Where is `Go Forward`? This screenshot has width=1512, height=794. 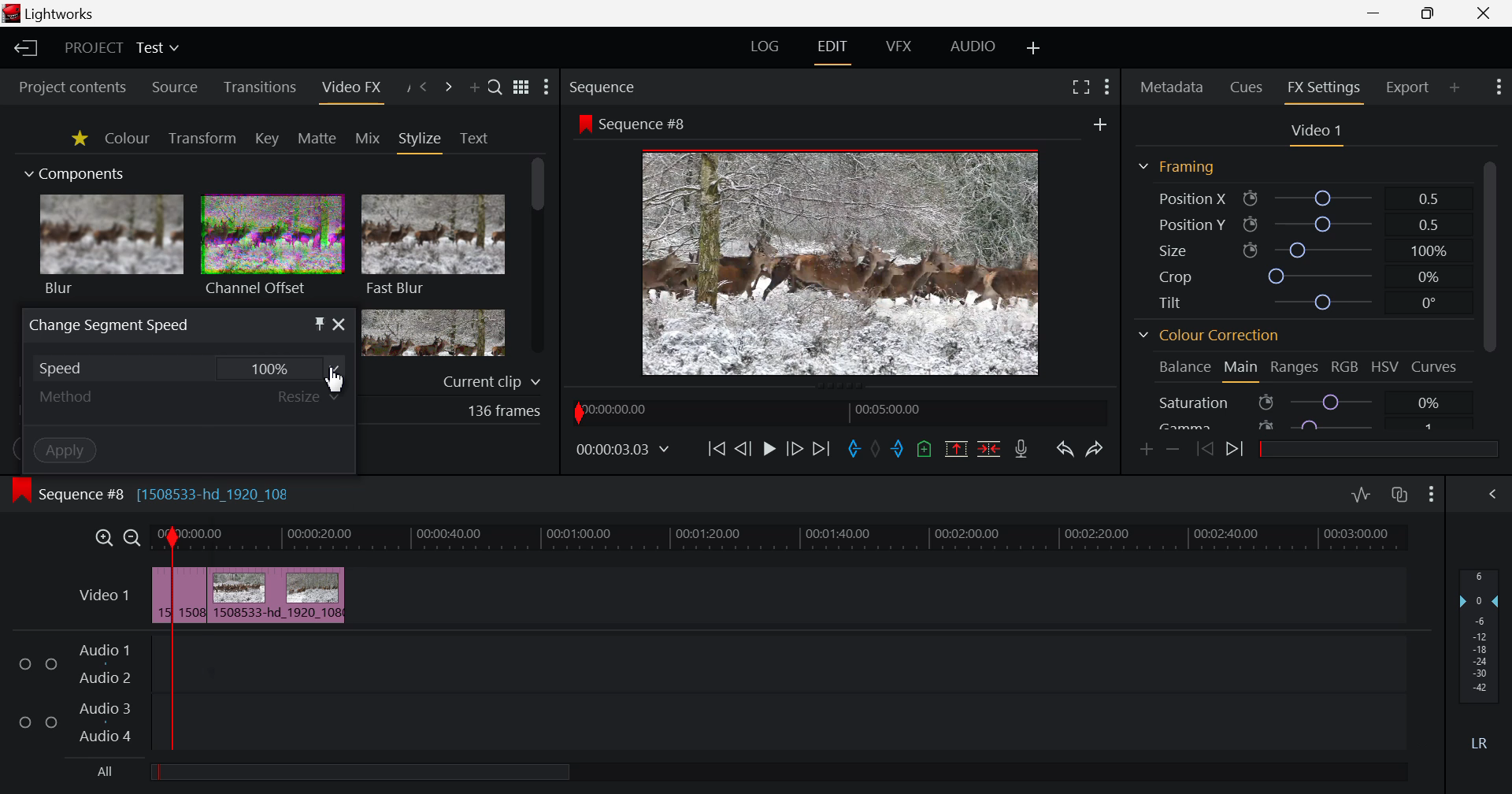 Go Forward is located at coordinates (795, 449).